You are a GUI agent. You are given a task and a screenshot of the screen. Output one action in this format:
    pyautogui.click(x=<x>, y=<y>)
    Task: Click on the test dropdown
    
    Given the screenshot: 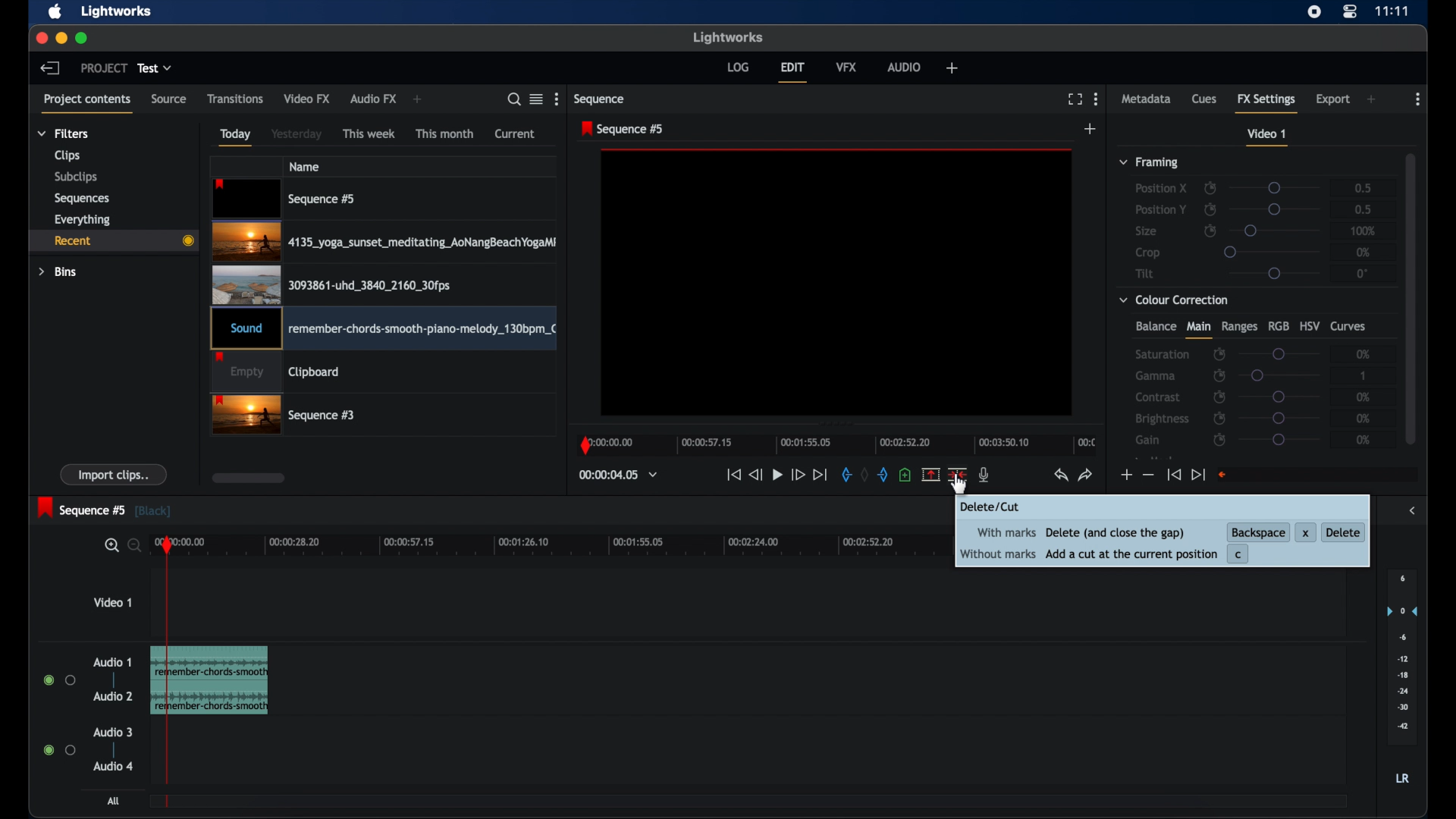 What is the action you would take?
    pyautogui.click(x=155, y=68)
    